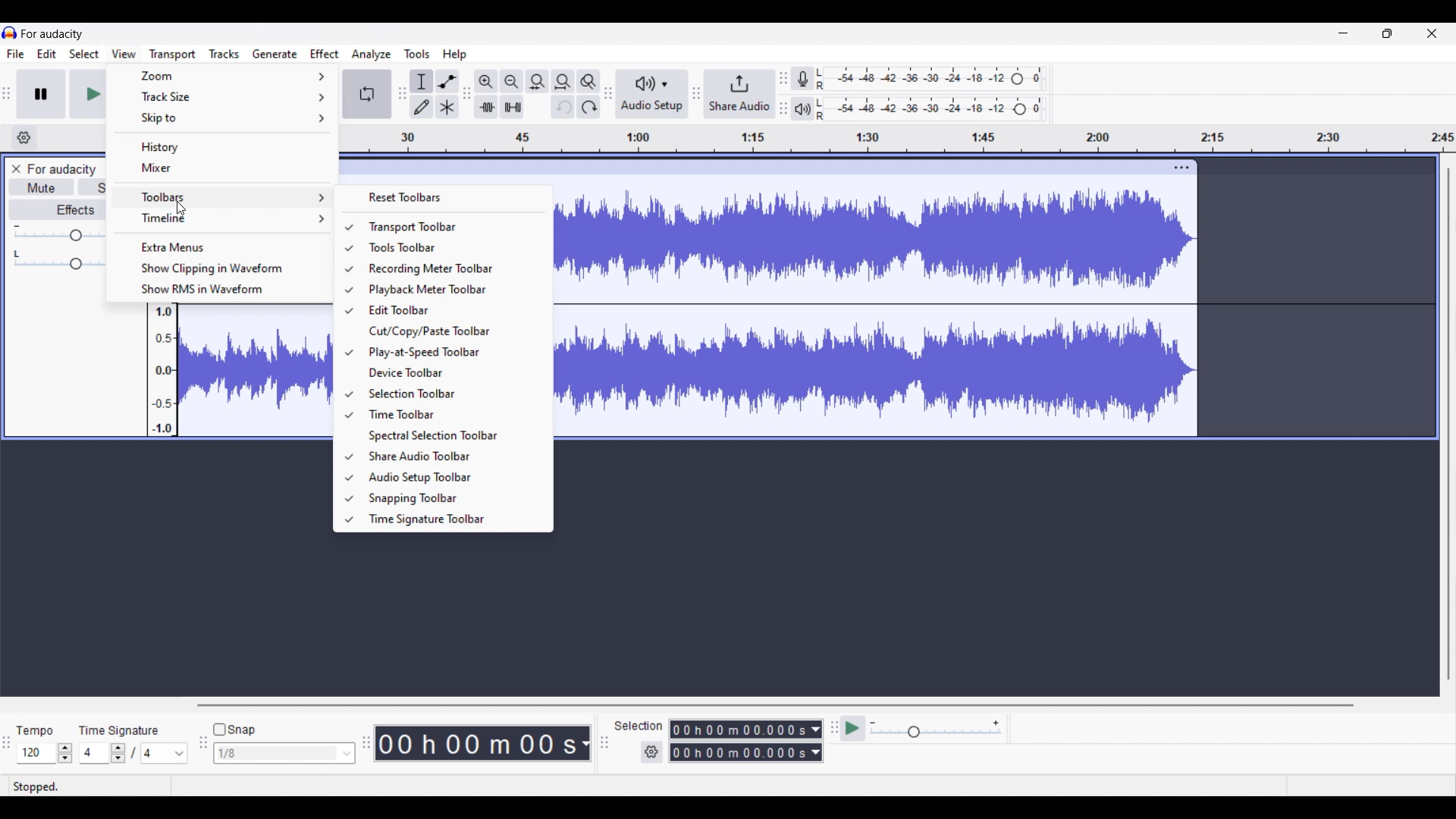 Image resolution: width=1456 pixels, height=819 pixels. Describe the element at coordinates (285, 753) in the screenshot. I see `Snap options` at that location.